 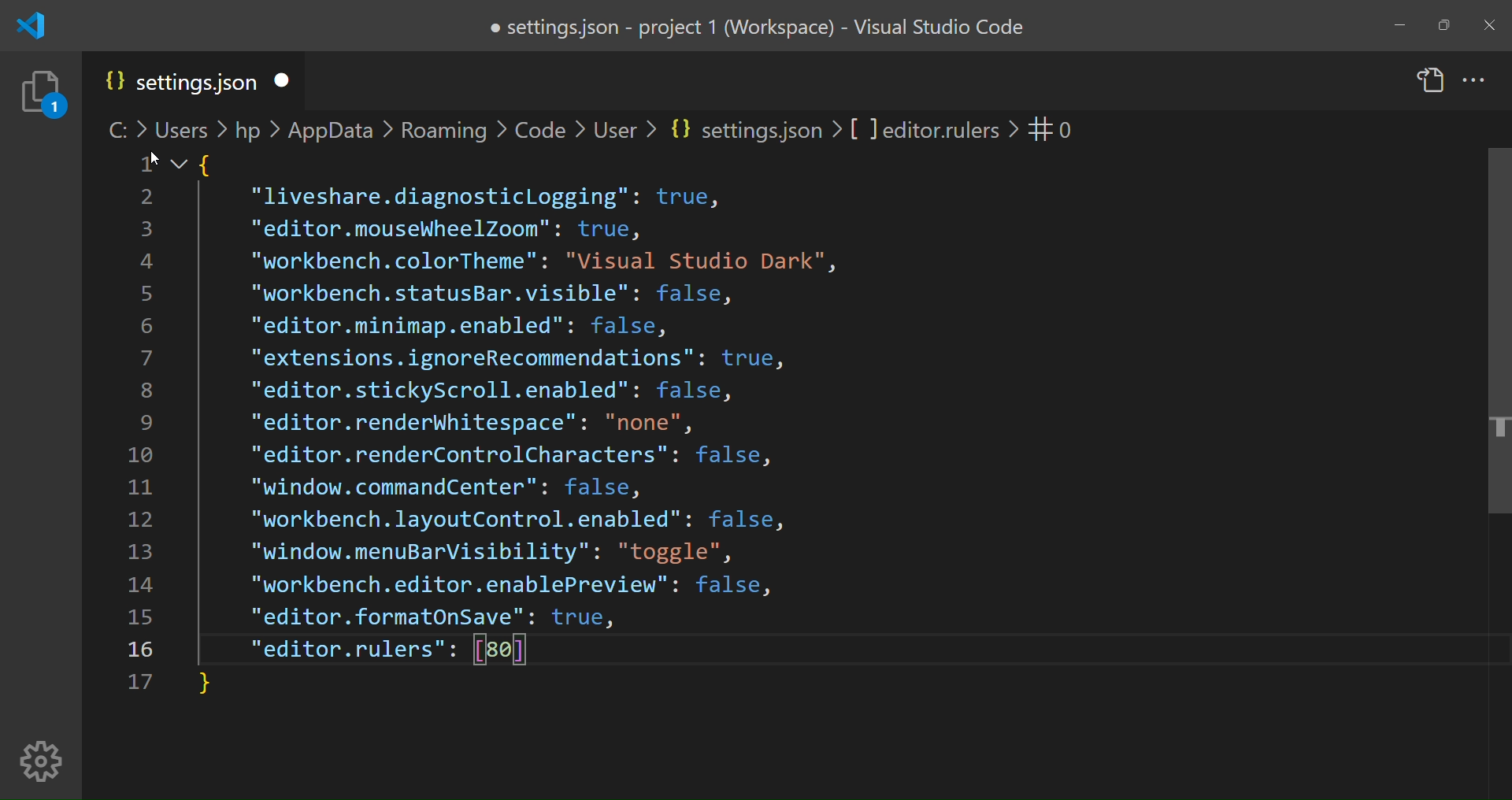 What do you see at coordinates (29, 27) in the screenshot?
I see `logo` at bounding box center [29, 27].